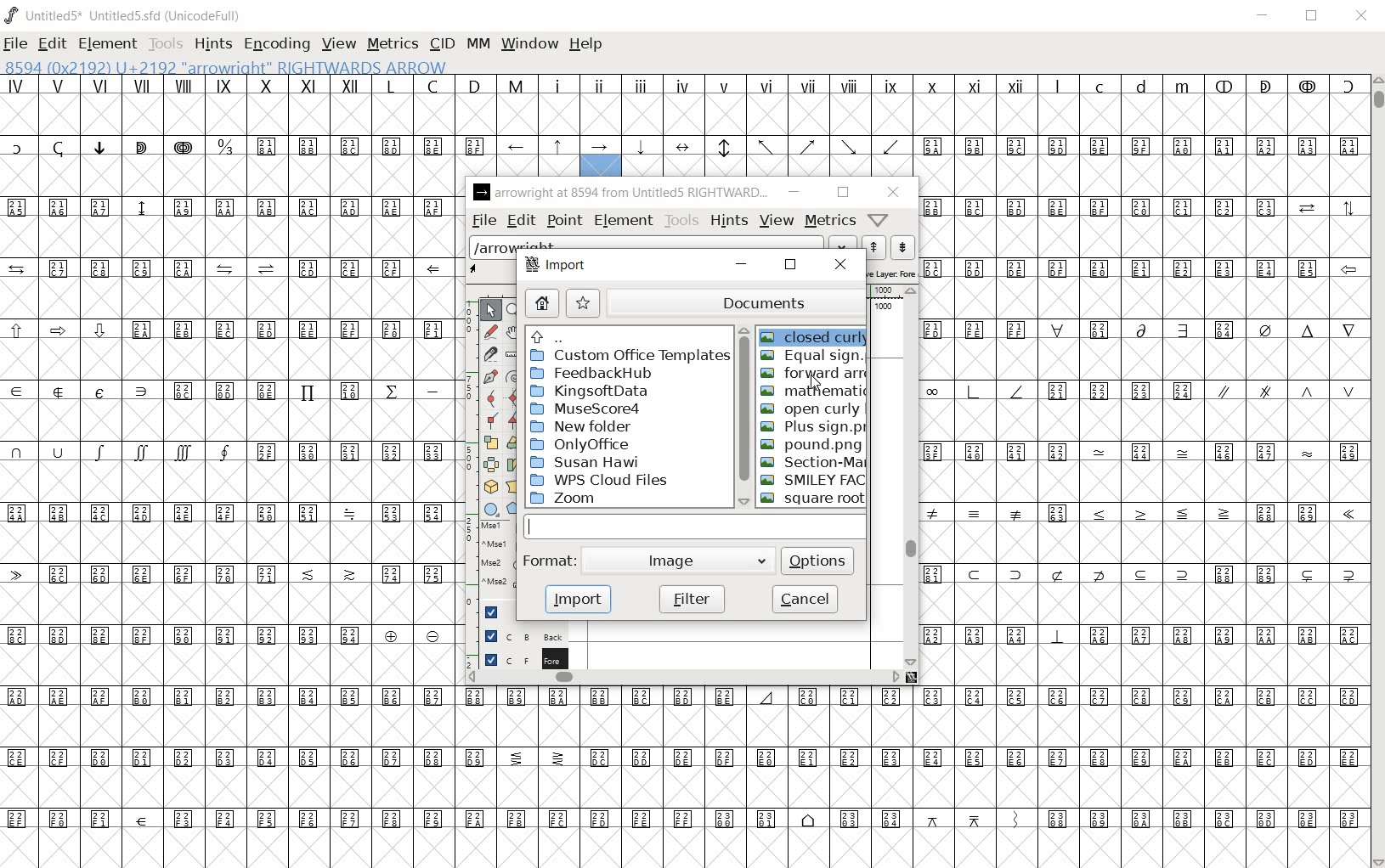  What do you see at coordinates (531, 45) in the screenshot?
I see `WINDOW` at bounding box center [531, 45].